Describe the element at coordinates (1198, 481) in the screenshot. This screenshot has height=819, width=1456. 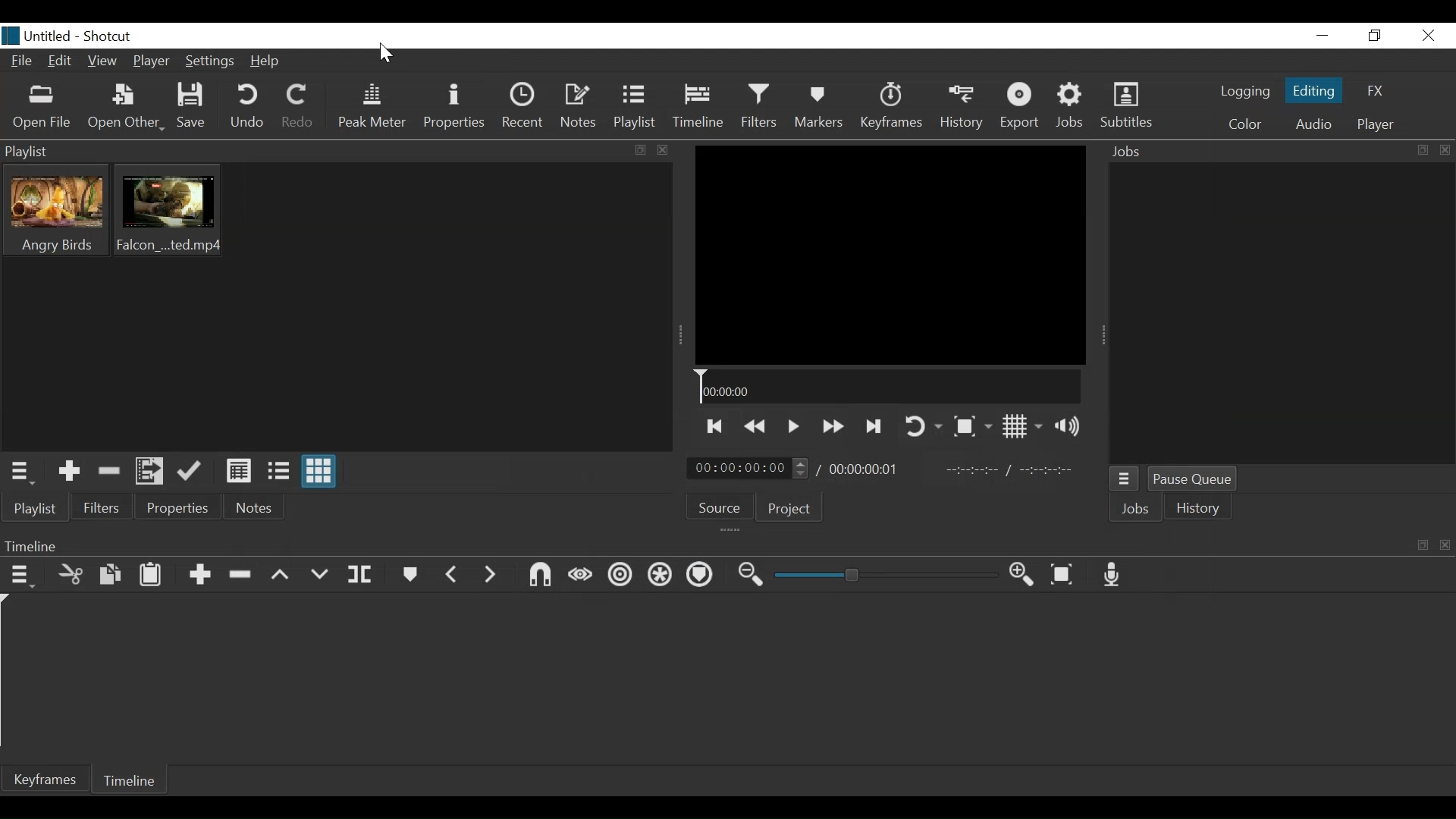
I see `Pause Queue` at that location.